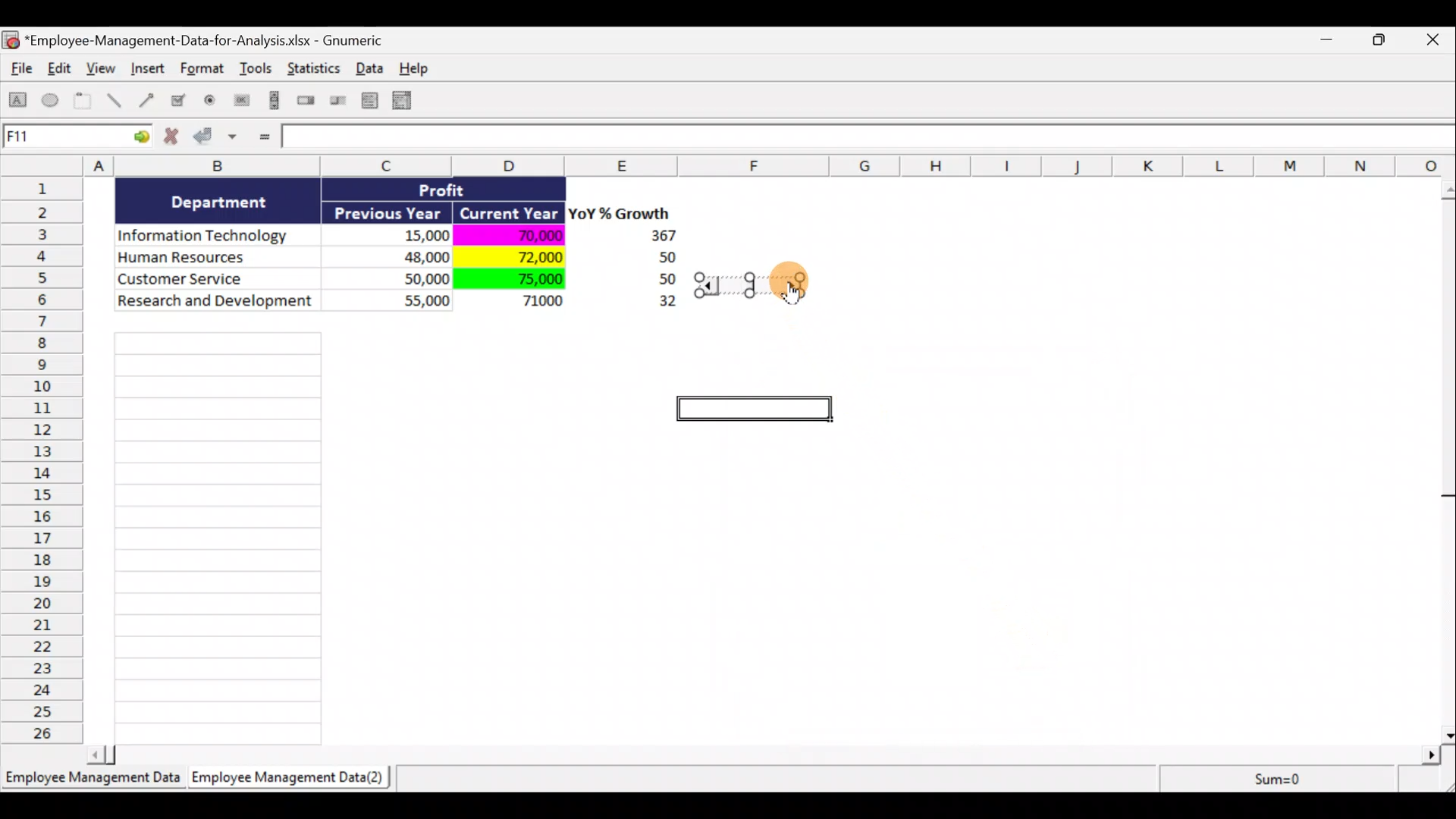 The width and height of the screenshot is (1456, 819). What do you see at coordinates (77, 139) in the screenshot?
I see `Cell allocation` at bounding box center [77, 139].